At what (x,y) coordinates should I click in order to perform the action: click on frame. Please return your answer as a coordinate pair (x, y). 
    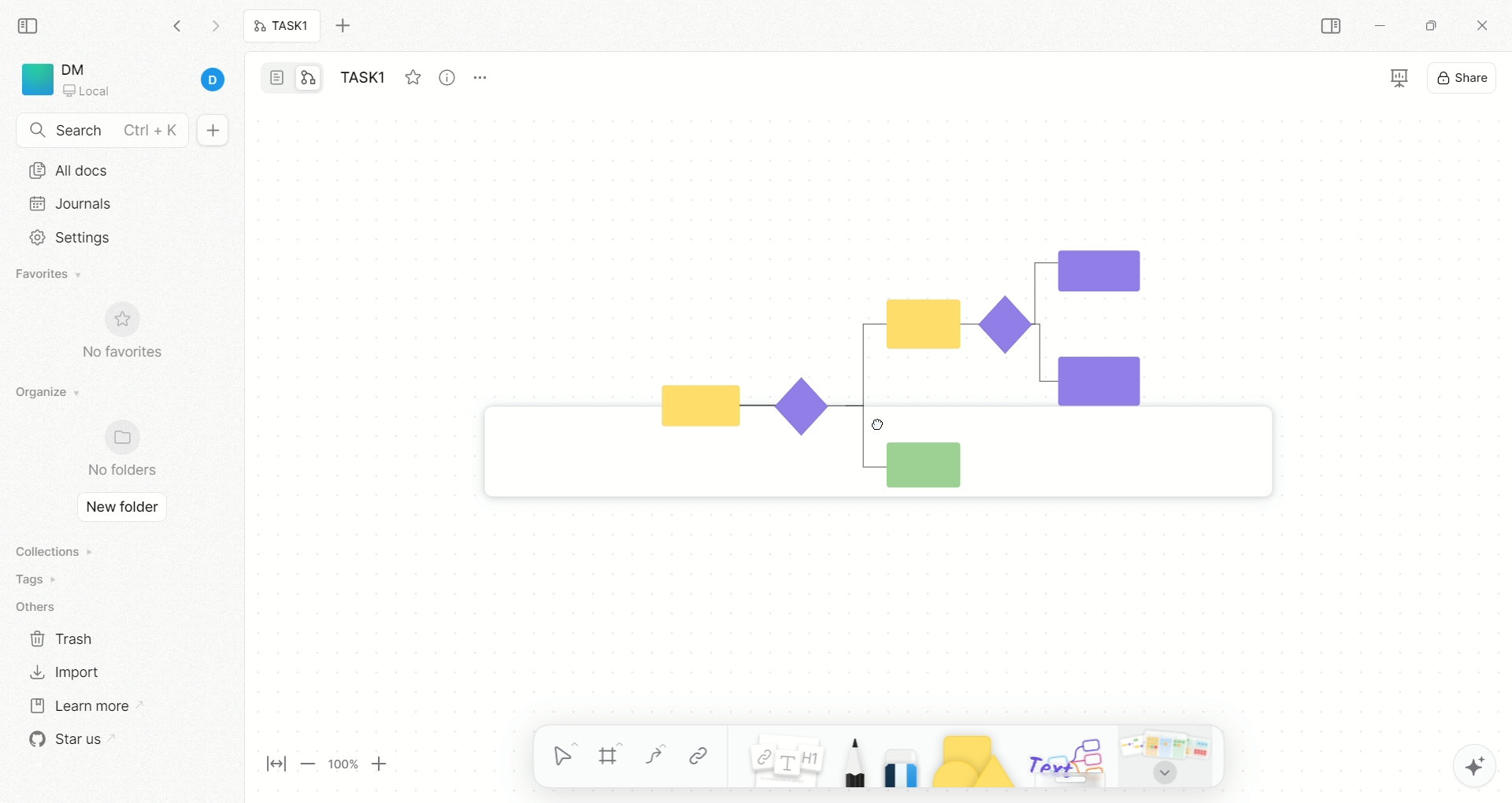
    Looking at the image, I should click on (617, 758).